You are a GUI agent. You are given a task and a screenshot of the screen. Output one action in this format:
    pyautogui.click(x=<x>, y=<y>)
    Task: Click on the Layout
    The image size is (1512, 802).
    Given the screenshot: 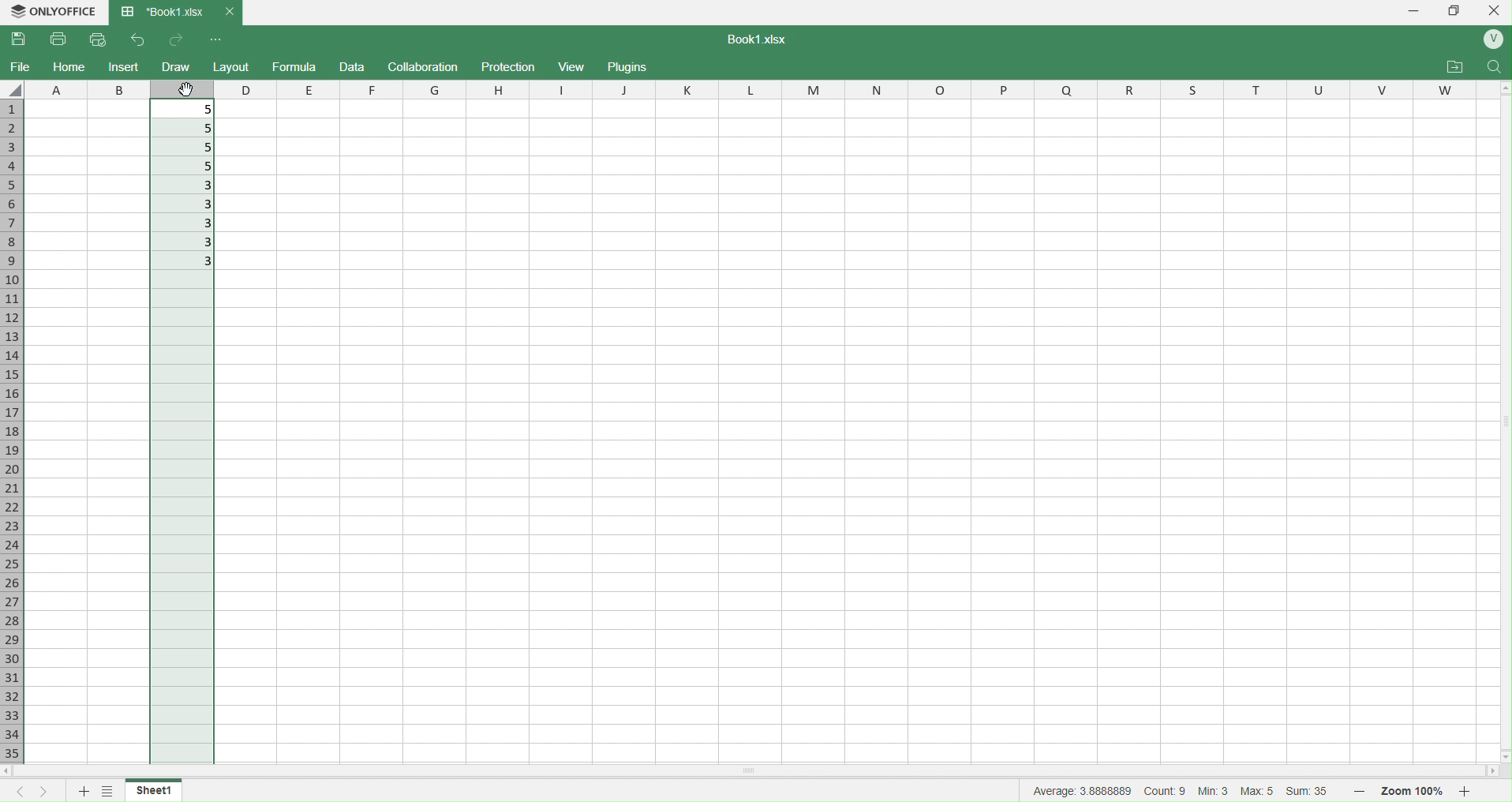 What is the action you would take?
    pyautogui.click(x=232, y=67)
    